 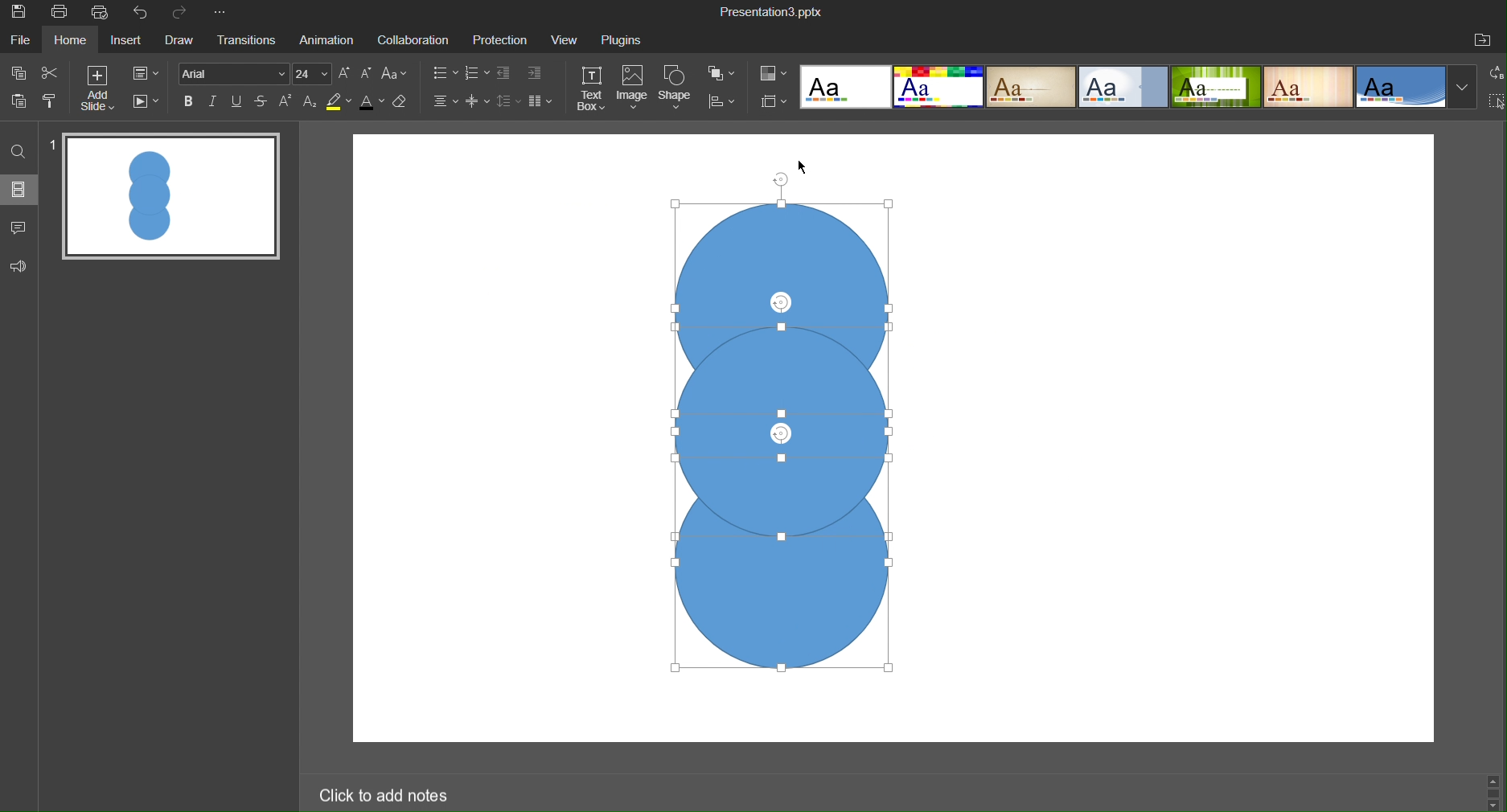 I want to click on Erase Style, so click(x=404, y=104).